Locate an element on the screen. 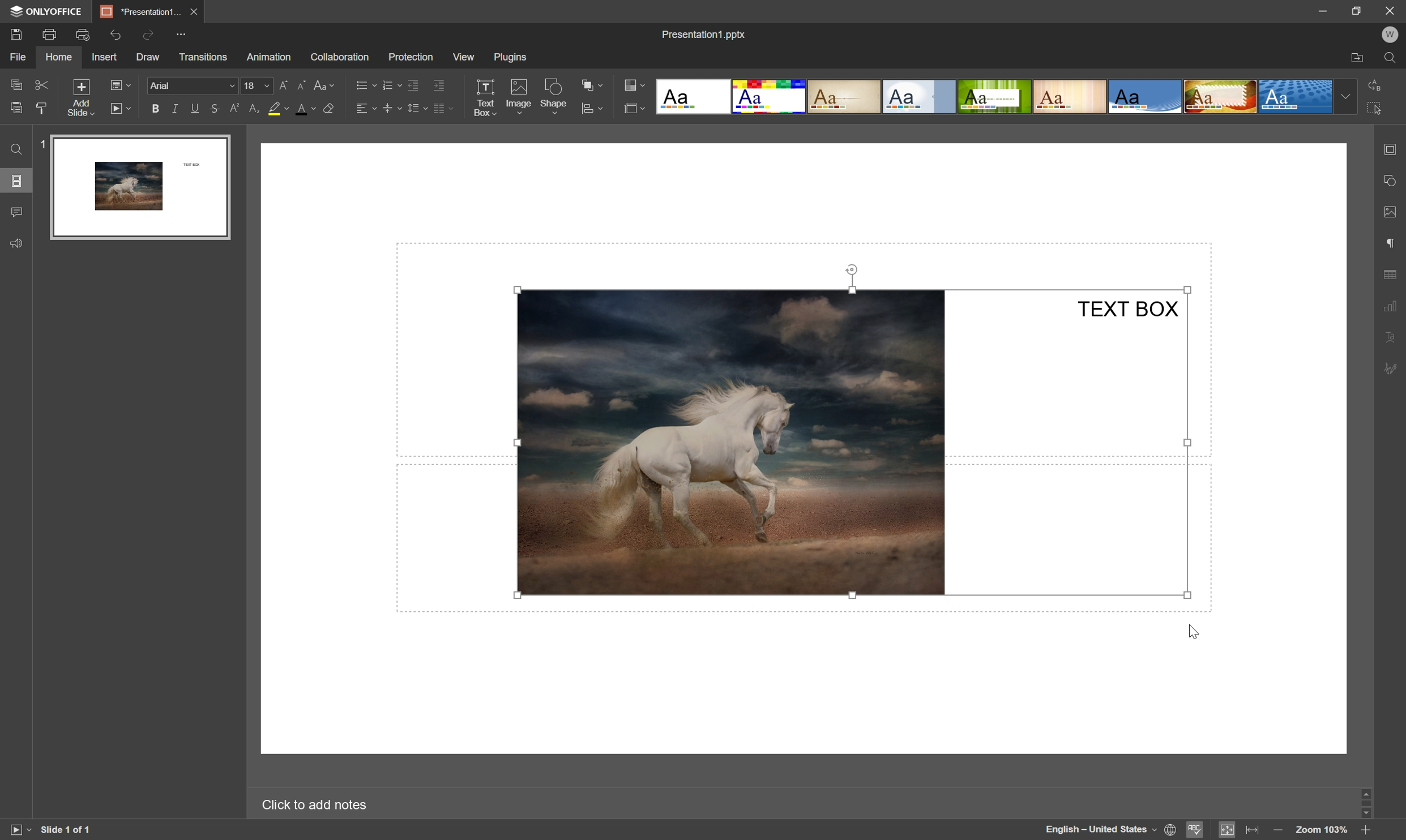 The image size is (1406, 840). W is located at coordinates (1390, 35).